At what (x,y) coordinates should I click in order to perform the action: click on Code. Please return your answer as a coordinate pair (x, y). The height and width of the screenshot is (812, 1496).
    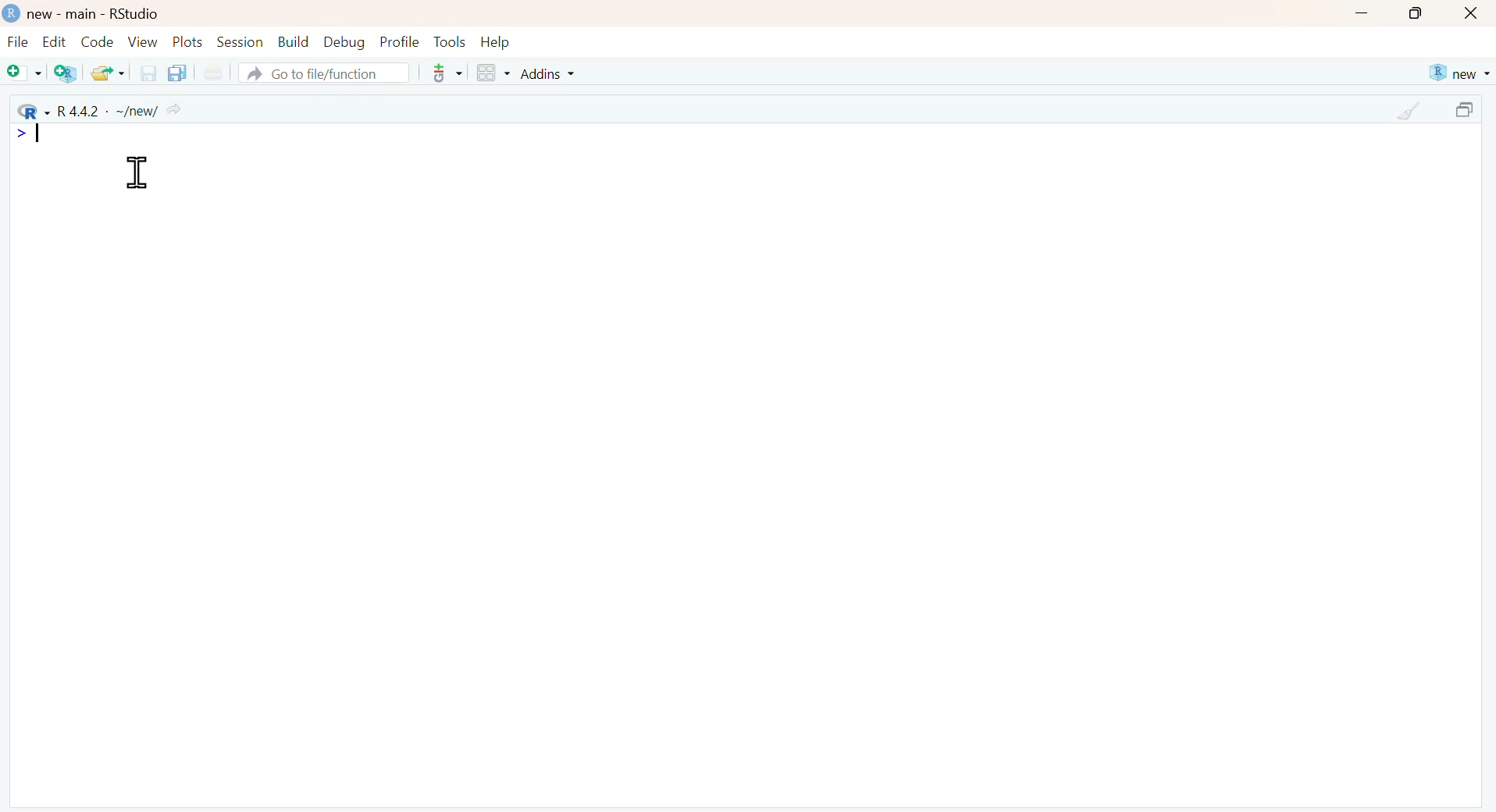
    Looking at the image, I should click on (95, 41).